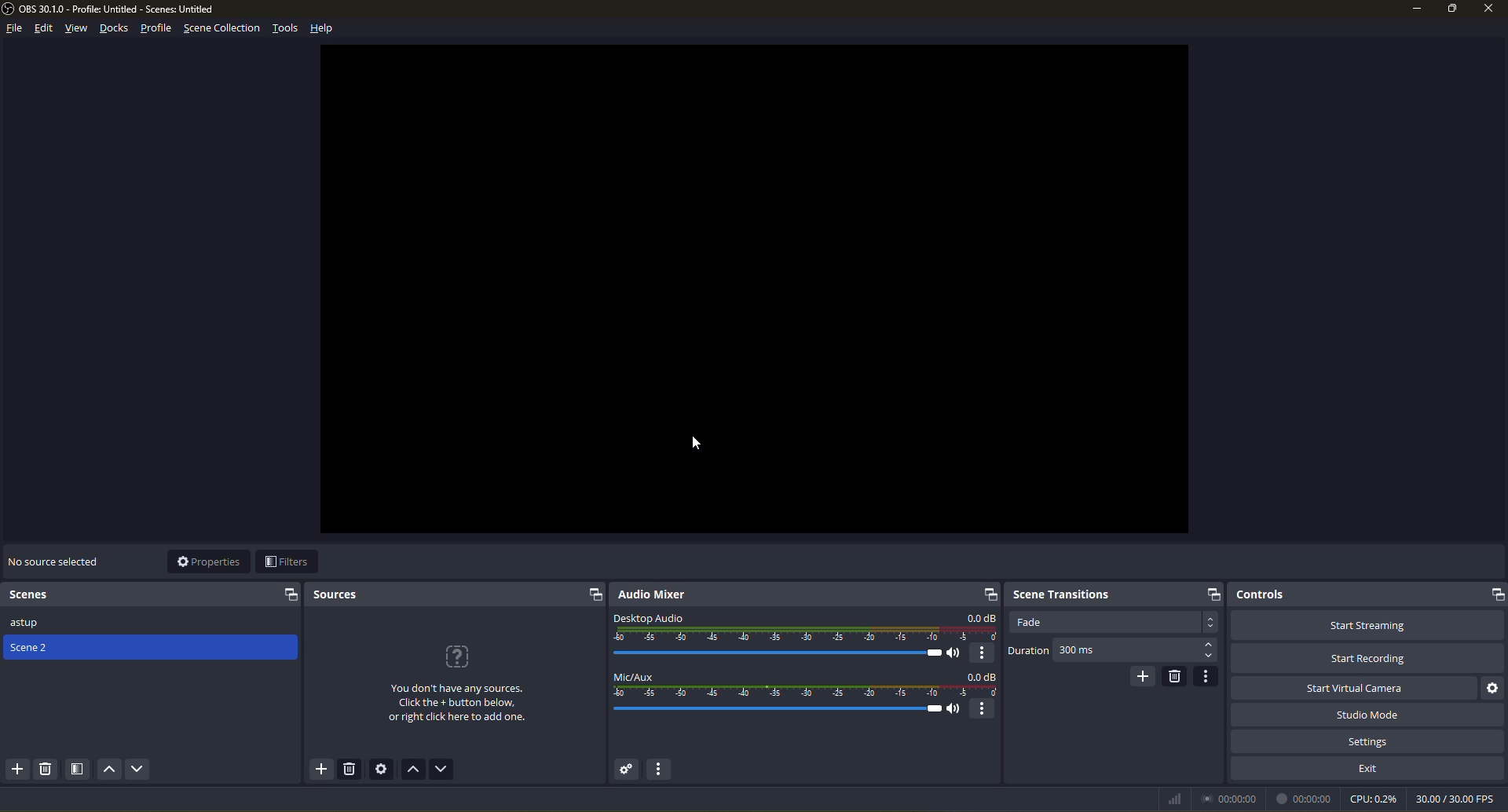 The width and height of the screenshot is (1508, 812). I want to click on help, so click(321, 29).